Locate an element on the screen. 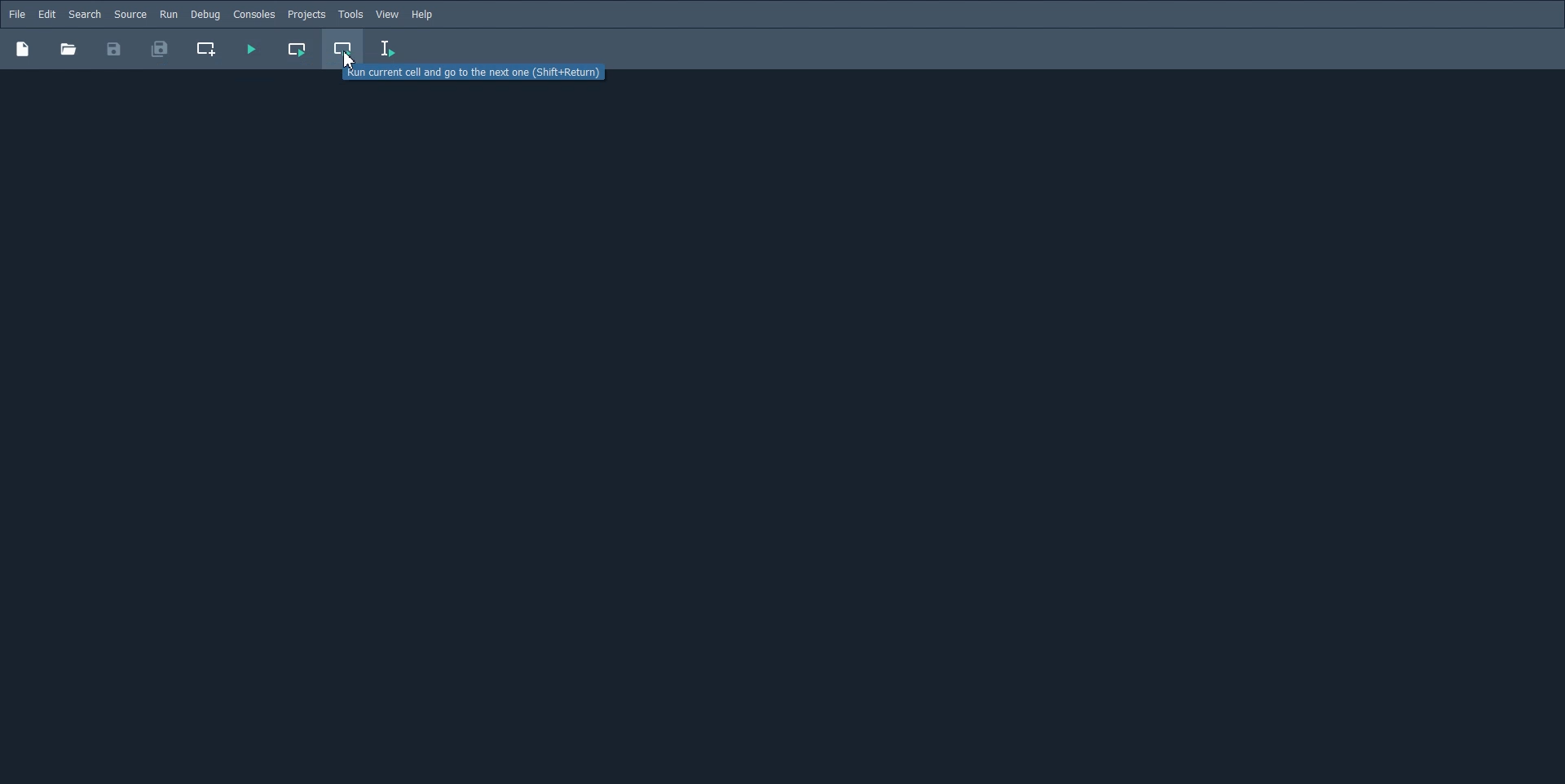 This screenshot has width=1565, height=784. Debug is located at coordinates (205, 14).